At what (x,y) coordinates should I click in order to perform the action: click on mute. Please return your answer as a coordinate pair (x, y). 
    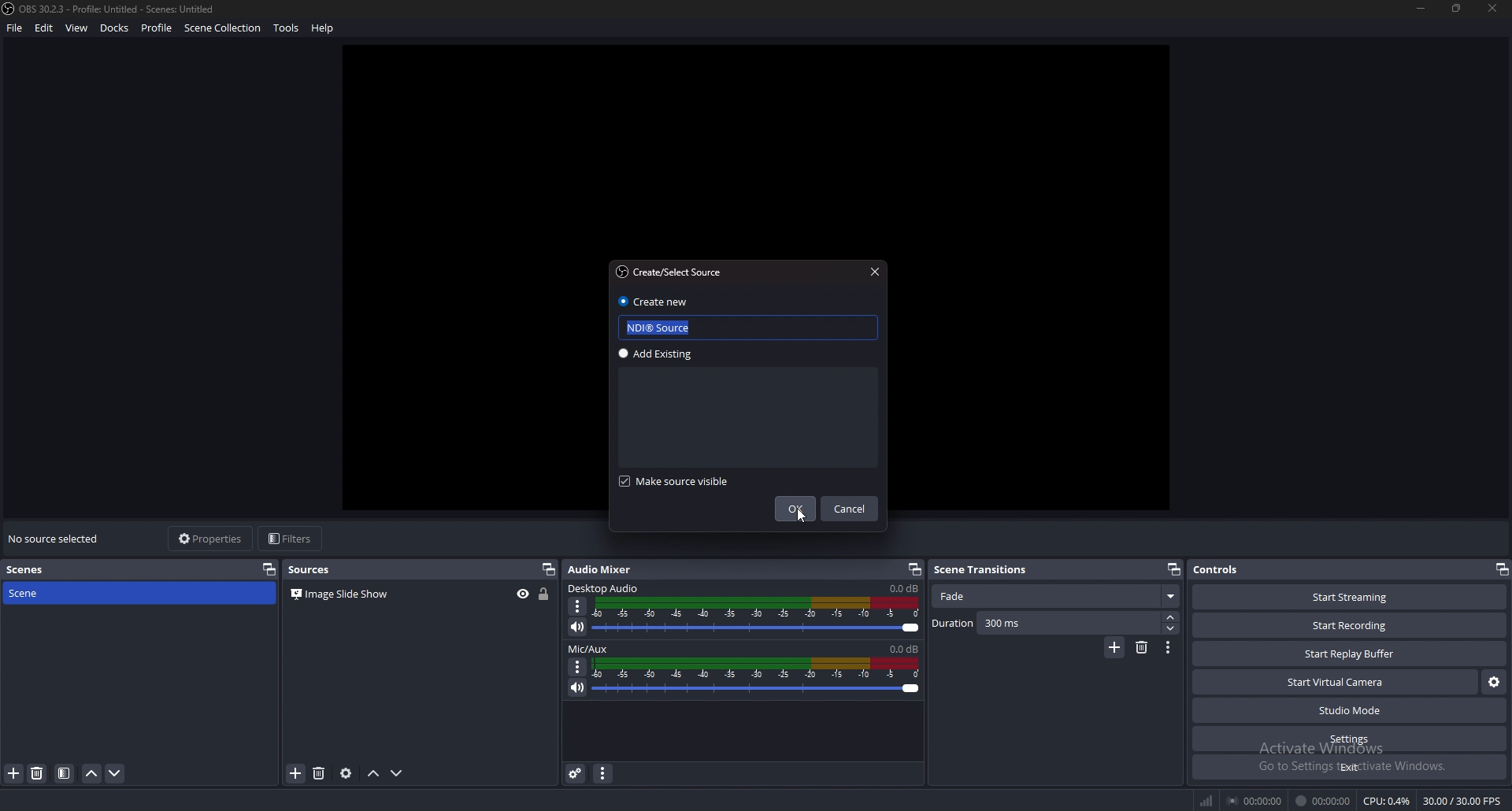
    Looking at the image, I should click on (576, 627).